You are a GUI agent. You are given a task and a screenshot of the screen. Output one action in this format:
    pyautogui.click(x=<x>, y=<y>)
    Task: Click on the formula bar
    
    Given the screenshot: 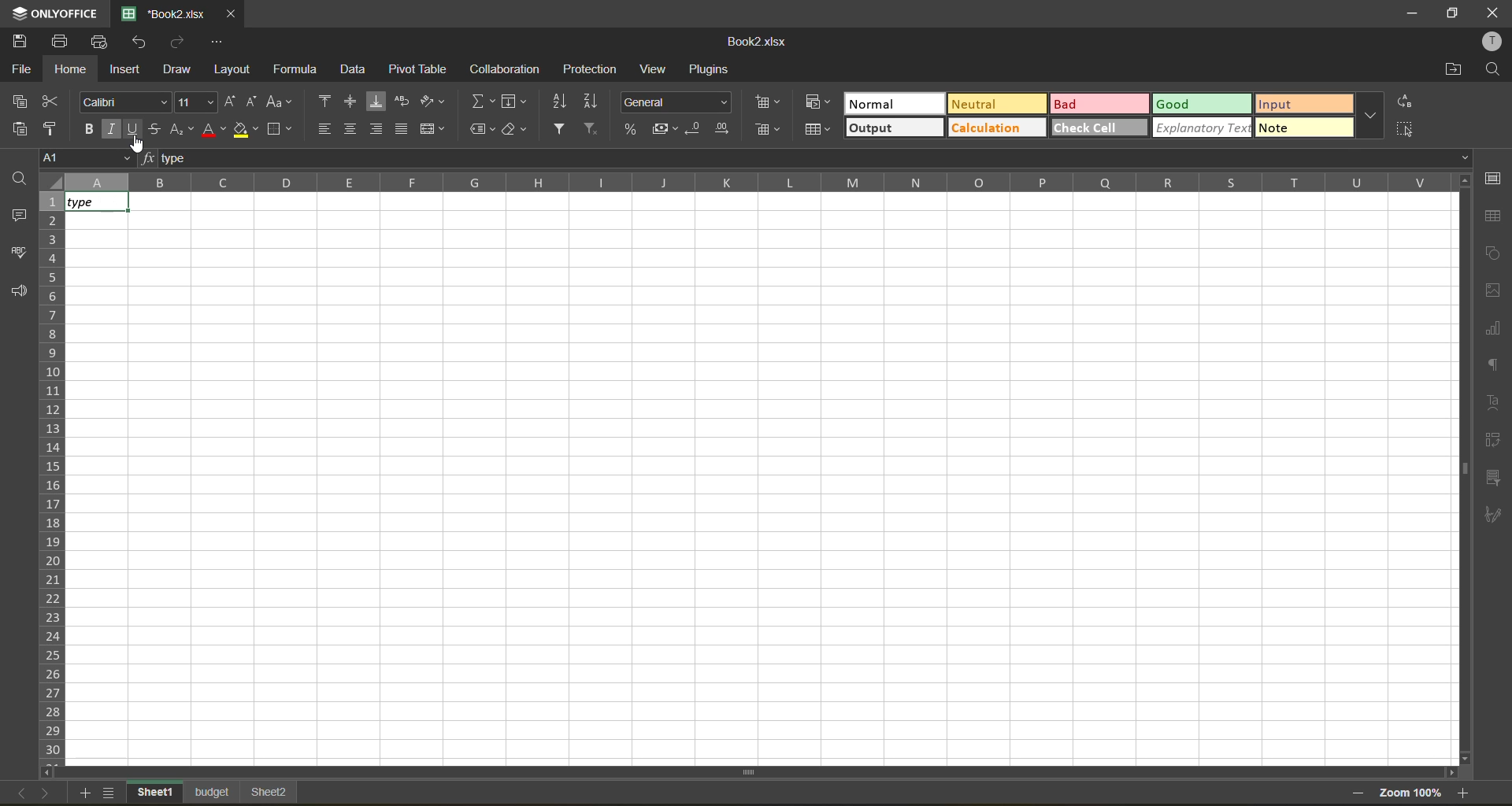 What is the action you would take?
    pyautogui.click(x=807, y=159)
    